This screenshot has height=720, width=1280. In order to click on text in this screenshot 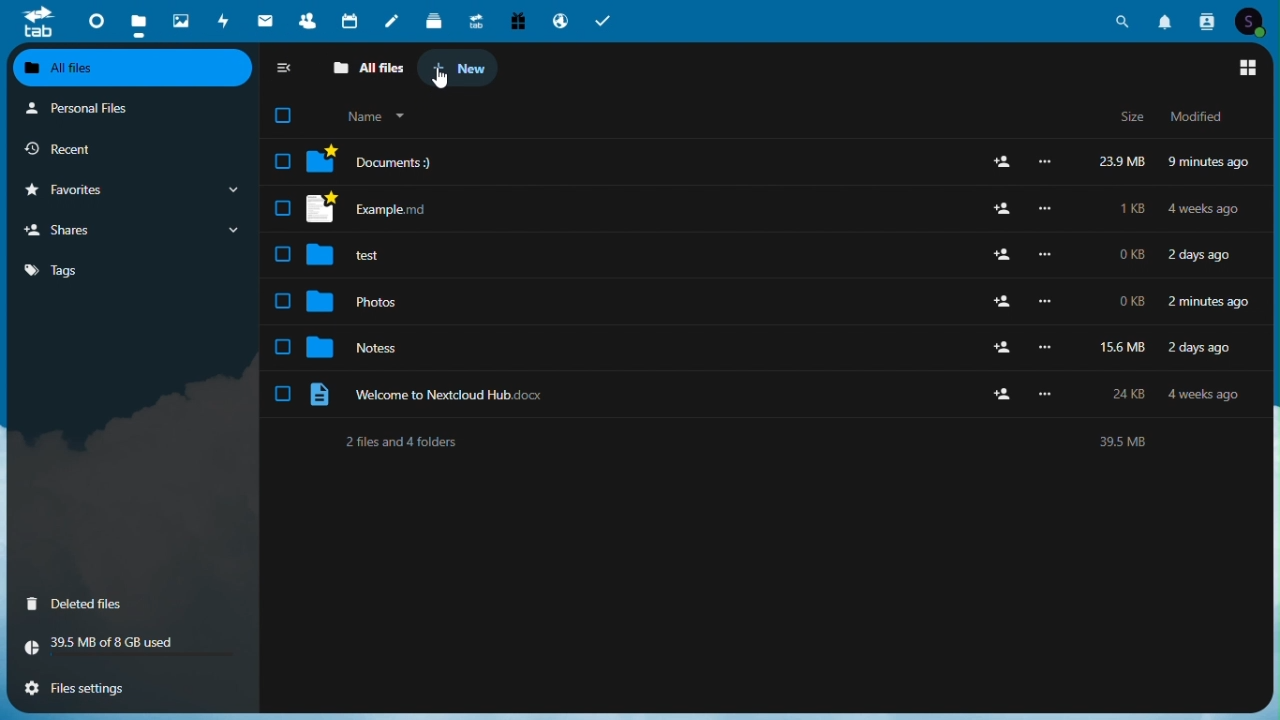, I will do `click(751, 438)`.